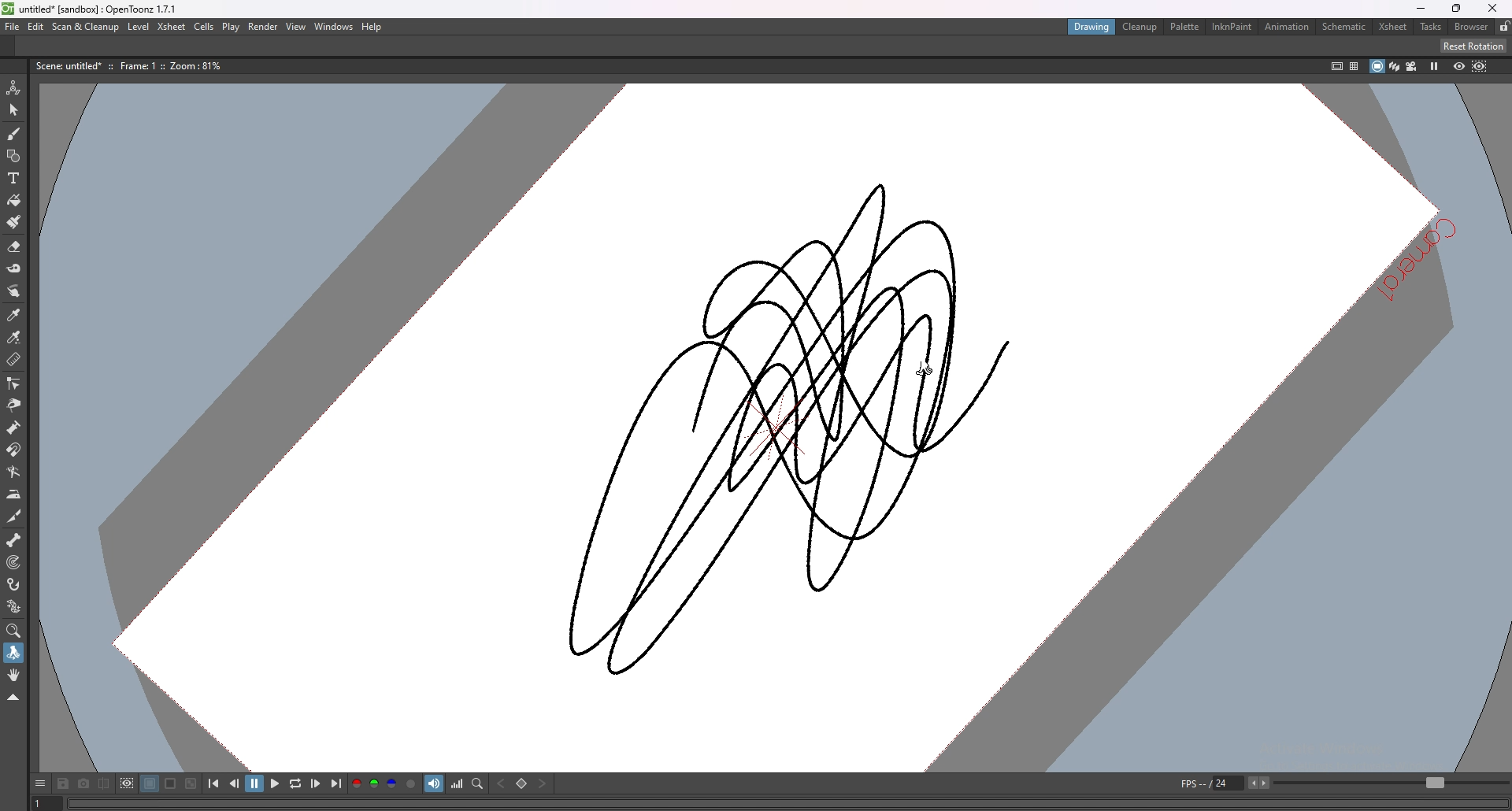 Image resolution: width=1512 pixels, height=811 pixels. What do you see at coordinates (13, 607) in the screenshot?
I see `plastic` at bounding box center [13, 607].